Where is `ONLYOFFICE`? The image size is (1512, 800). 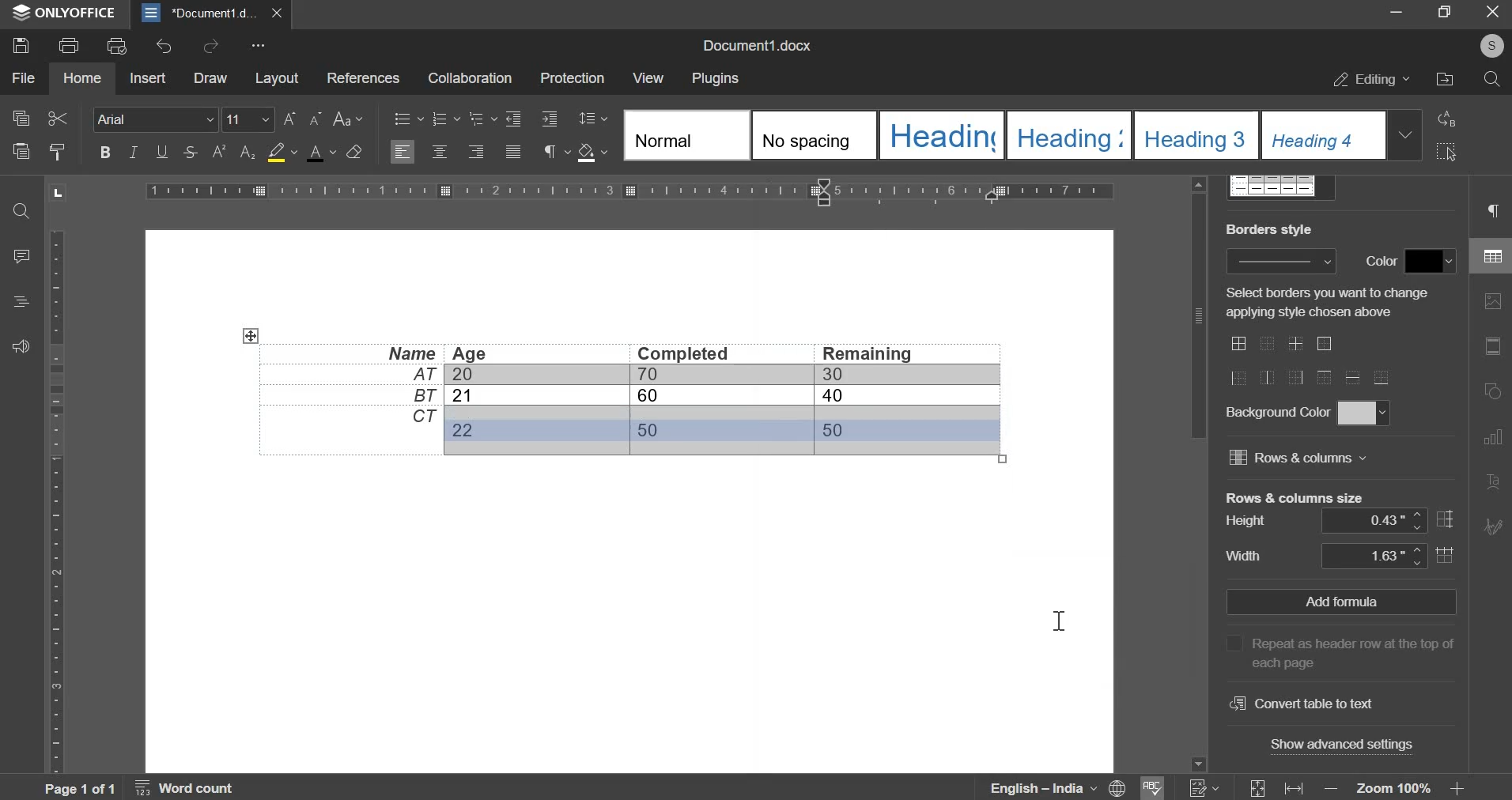
ONLYOFFICE is located at coordinates (77, 13).